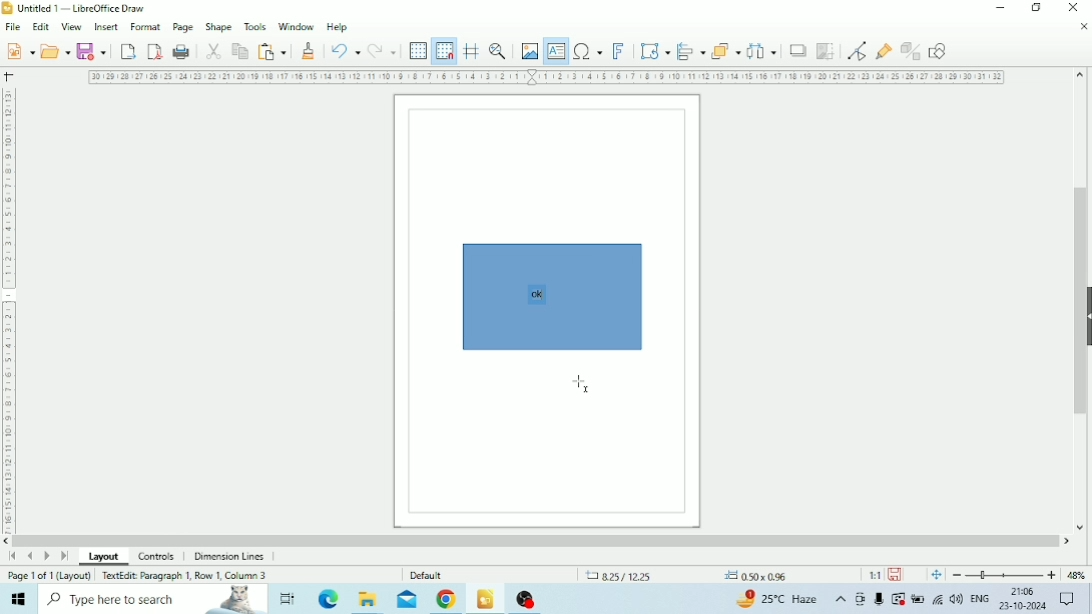  Describe the element at coordinates (92, 52) in the screenshot. I see `Save` at that location.